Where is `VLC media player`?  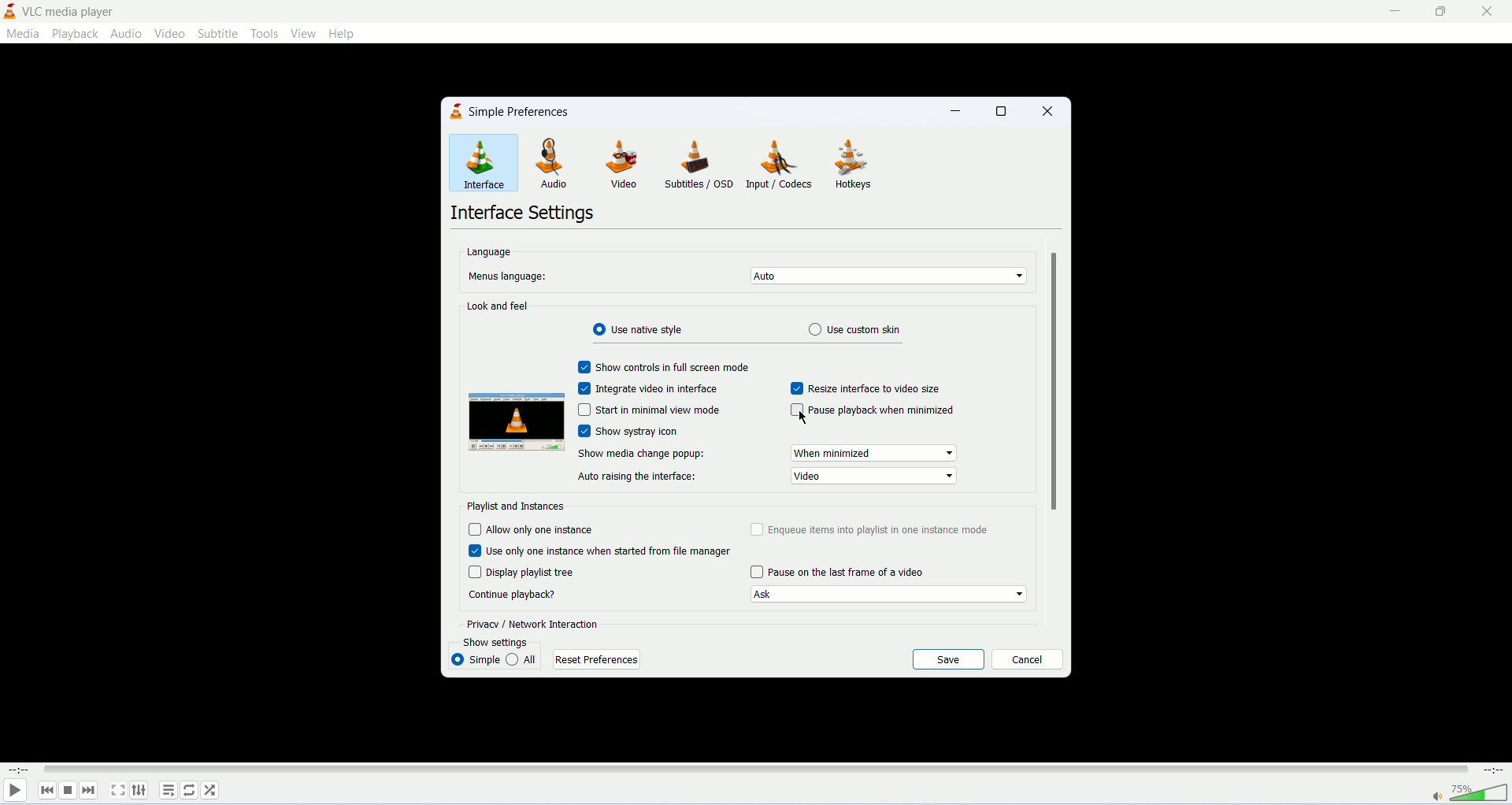 VLC media player is located at coordinates (70, 12).